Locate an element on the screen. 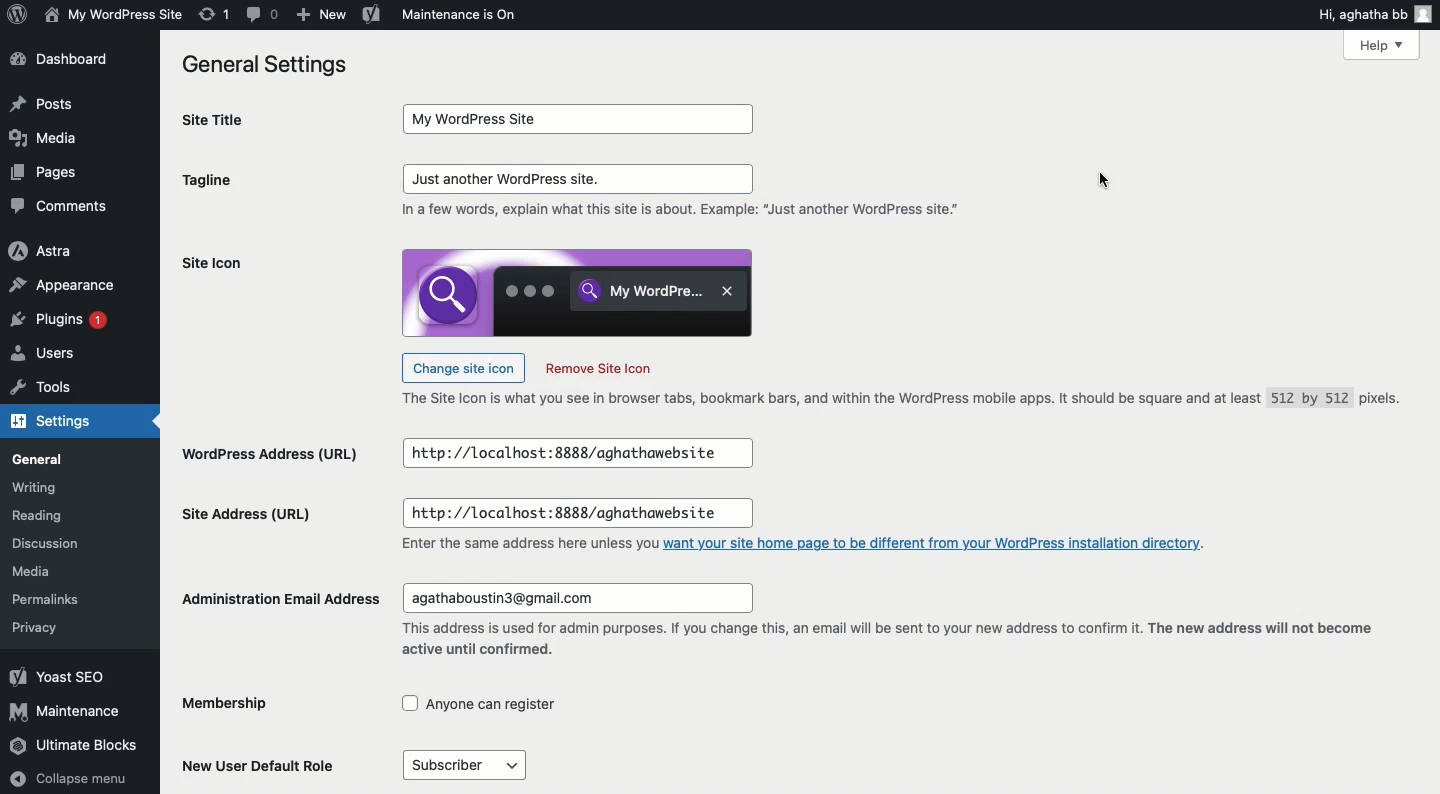 This screenshot has width=1440, height=794. input box is located at coordinates (576, 598).